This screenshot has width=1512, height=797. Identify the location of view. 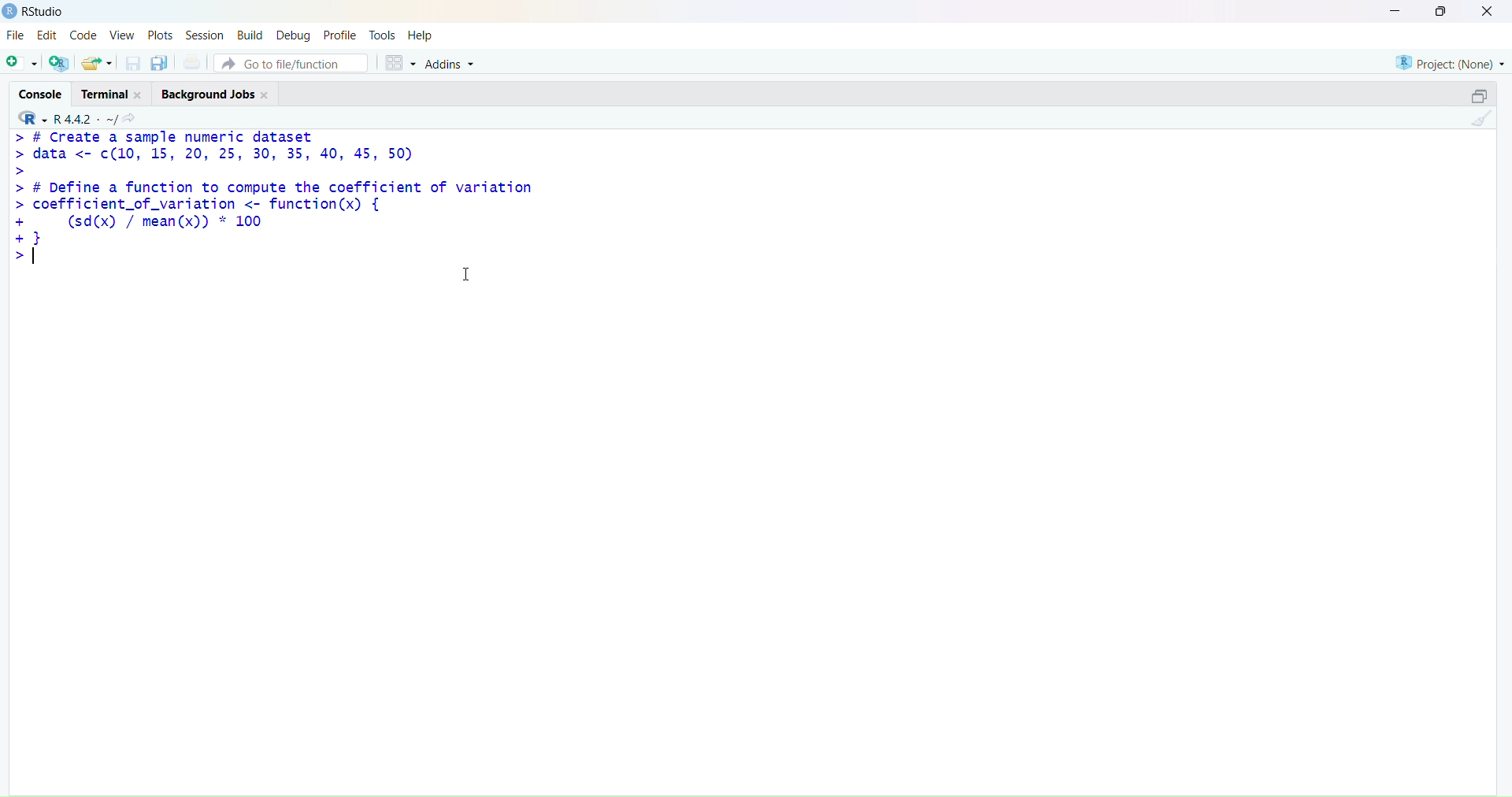
(122, 35).